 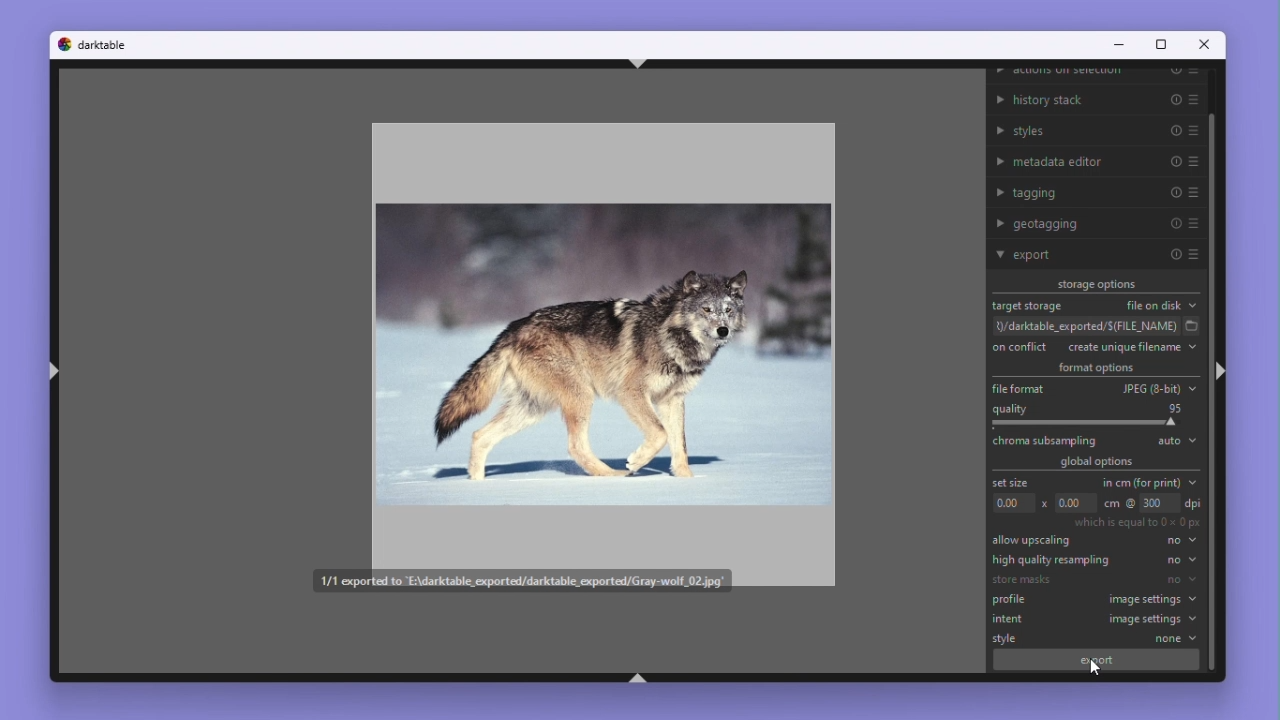 What do you see at coordinates (1023, 580) in the screenshot?
I see `store masks` at bounding box center [1023, 580].